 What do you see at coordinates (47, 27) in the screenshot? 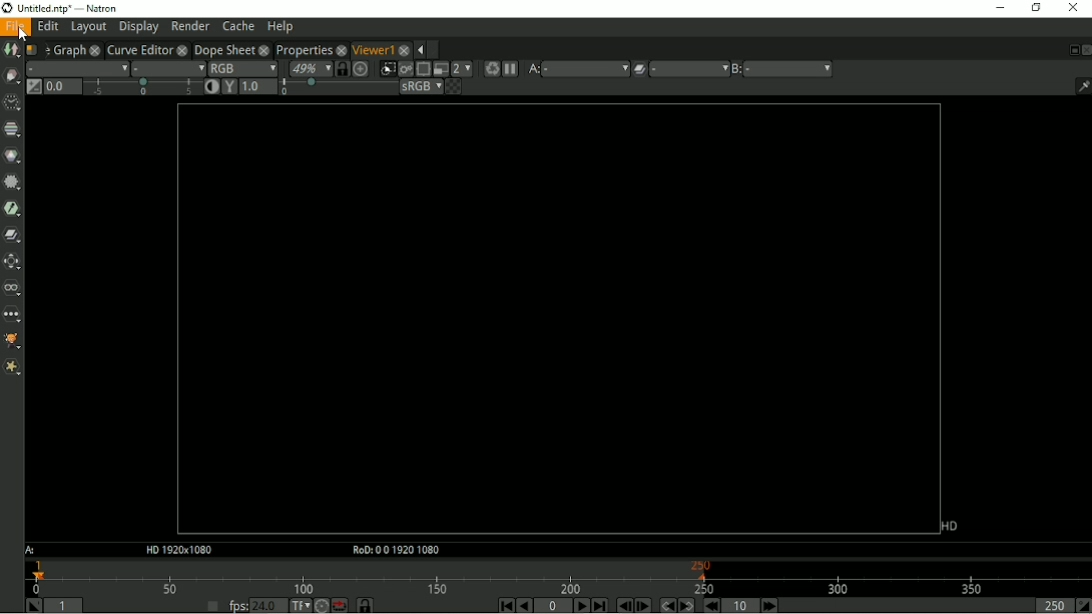
I see `Edit` at bounding box center [47, 27].